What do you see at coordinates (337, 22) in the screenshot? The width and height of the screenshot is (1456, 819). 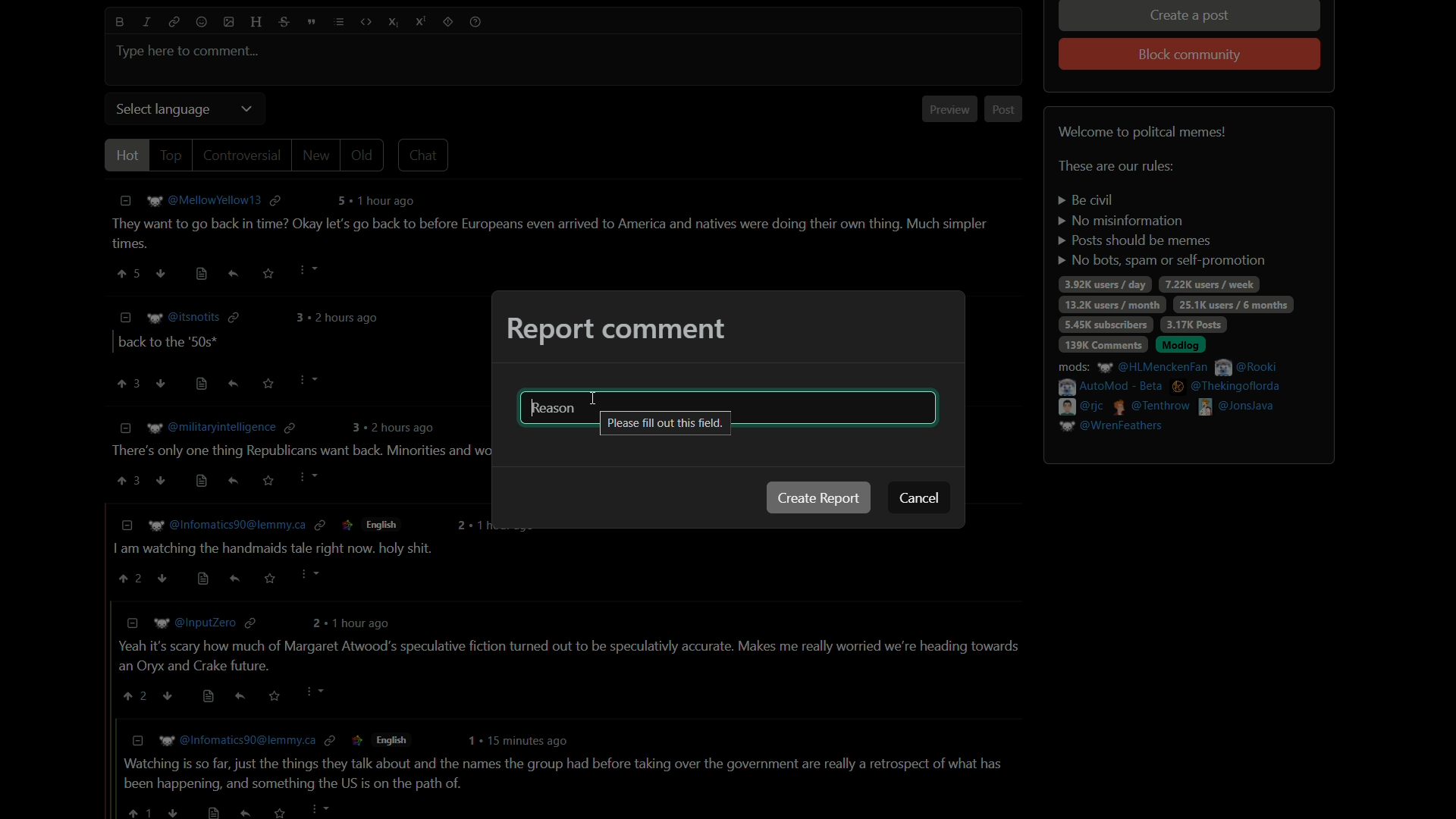 I see `list` at bounding box center [337, 22].